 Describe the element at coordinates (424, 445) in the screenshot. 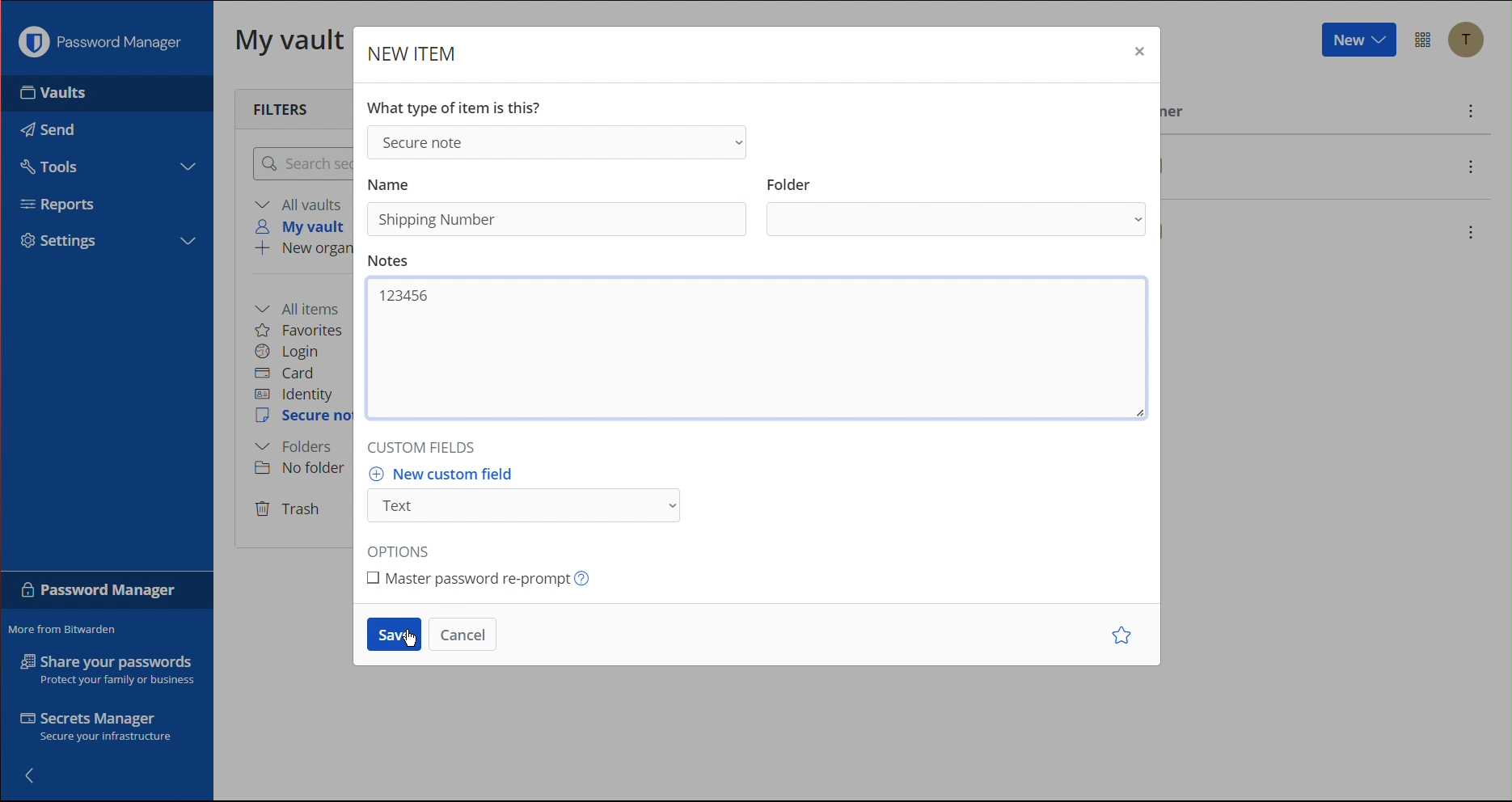

I see `Custom Fields` at that location.